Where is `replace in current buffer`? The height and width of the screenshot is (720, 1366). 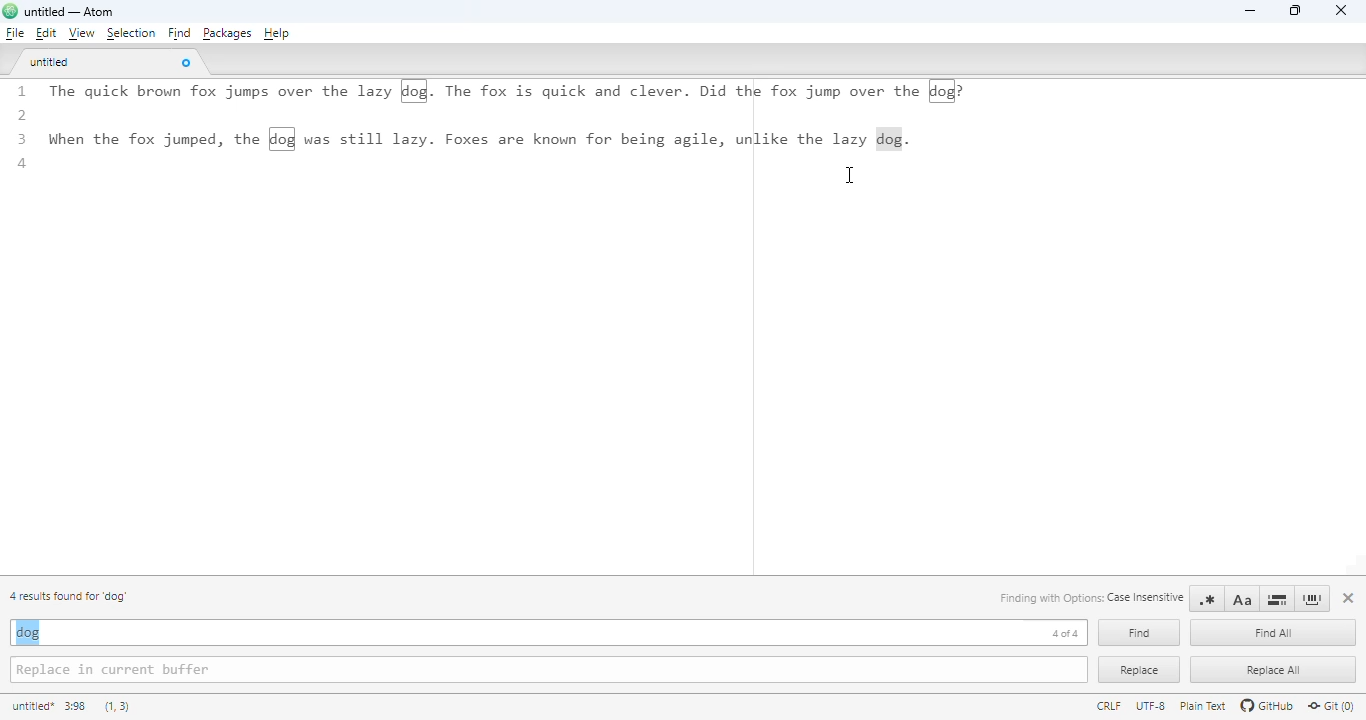 replace in current buffer is located at coordinates (549, 670).